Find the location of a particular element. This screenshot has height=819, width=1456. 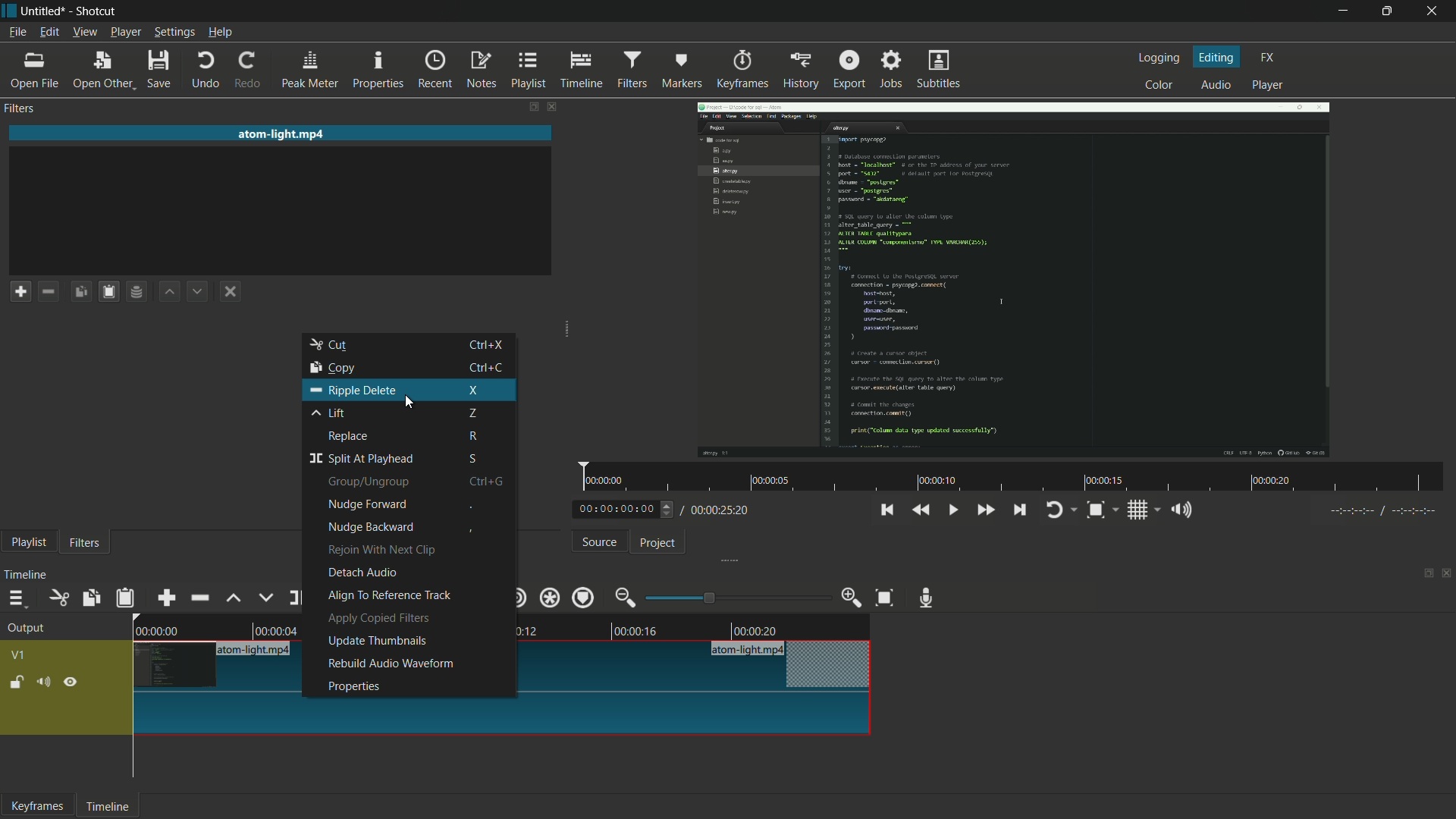

timeline menu is located at coordinates (17, 599).